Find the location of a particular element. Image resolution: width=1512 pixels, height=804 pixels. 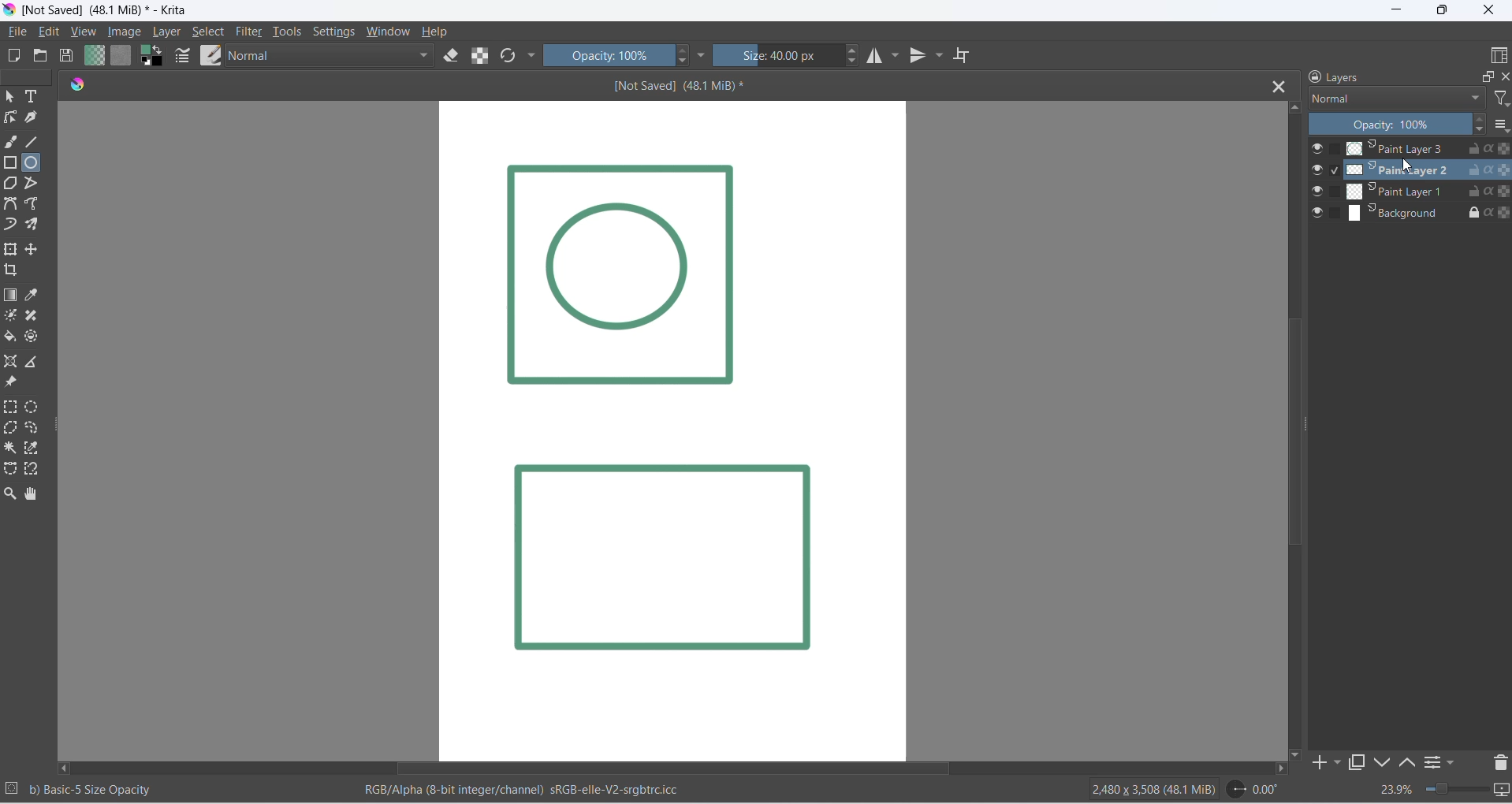

preserve alpha is located at coordinates (1497, 148).